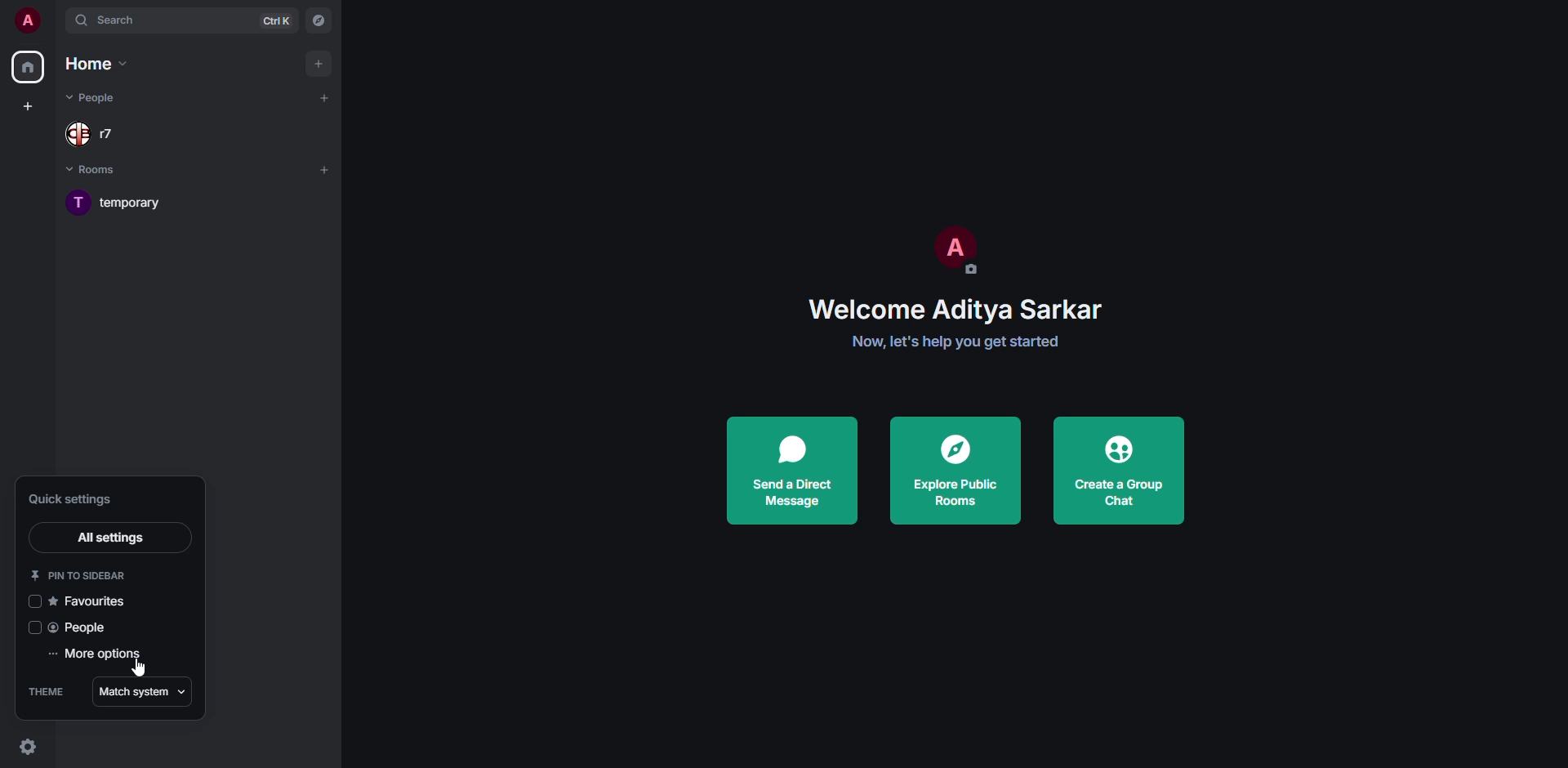  What do you see at coordinates (83, 575) in the screenshot?
I see `pin to sidebar` at bounding box center [83, 575].